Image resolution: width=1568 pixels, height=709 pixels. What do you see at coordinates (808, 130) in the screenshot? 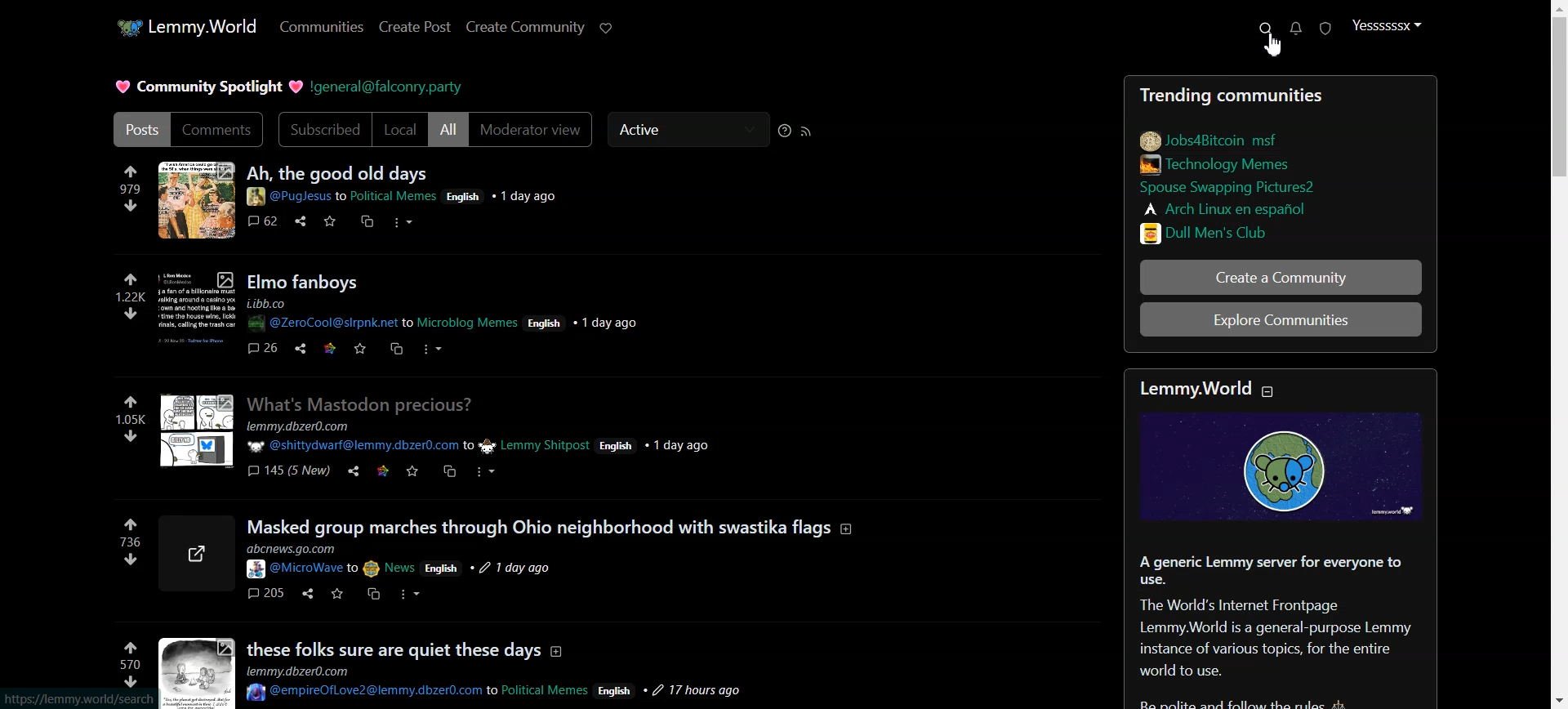
I see `RSS` at bounding box center [808, 130].